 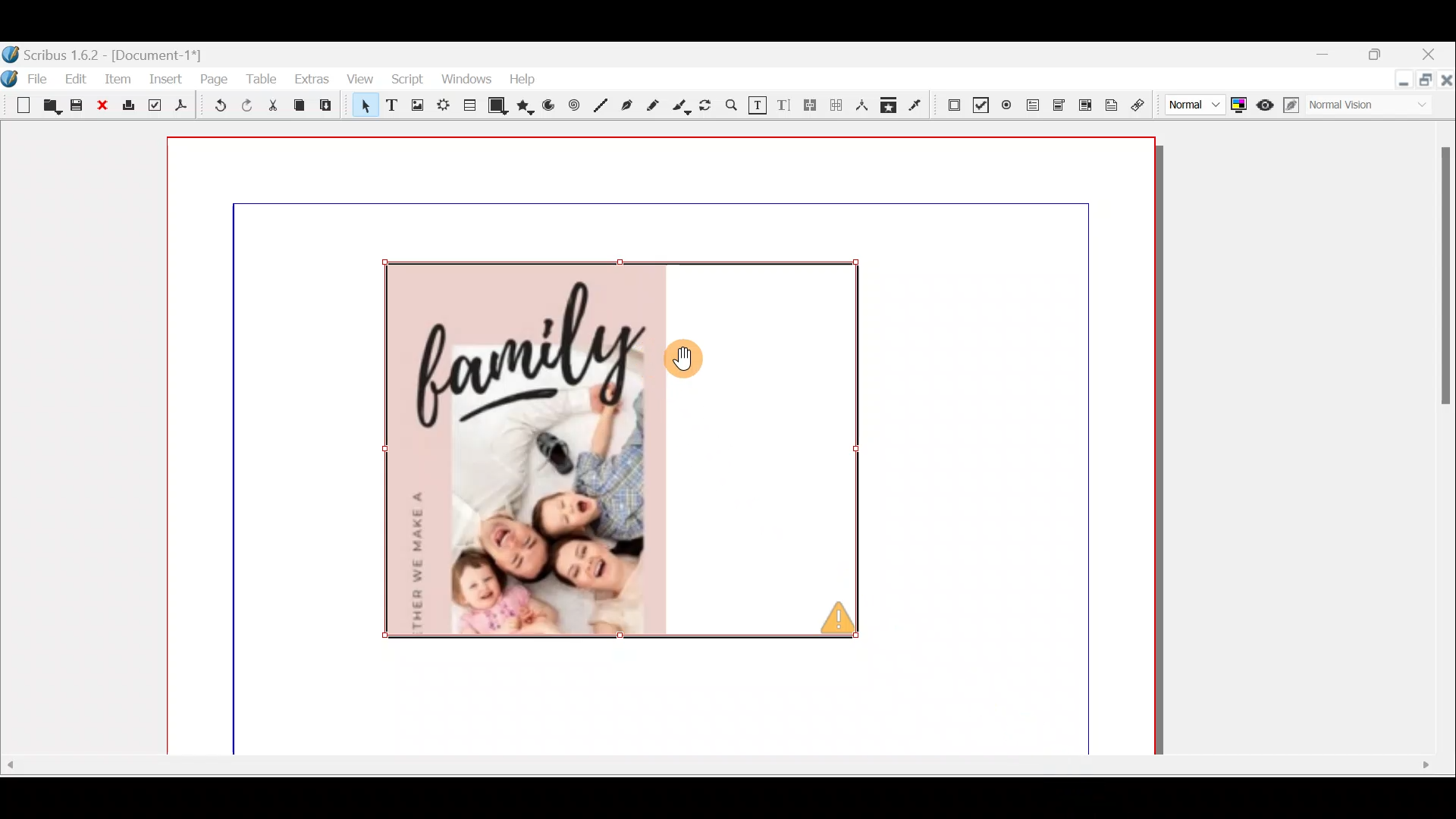 I want to click on Save, so click(x=79, y=107).